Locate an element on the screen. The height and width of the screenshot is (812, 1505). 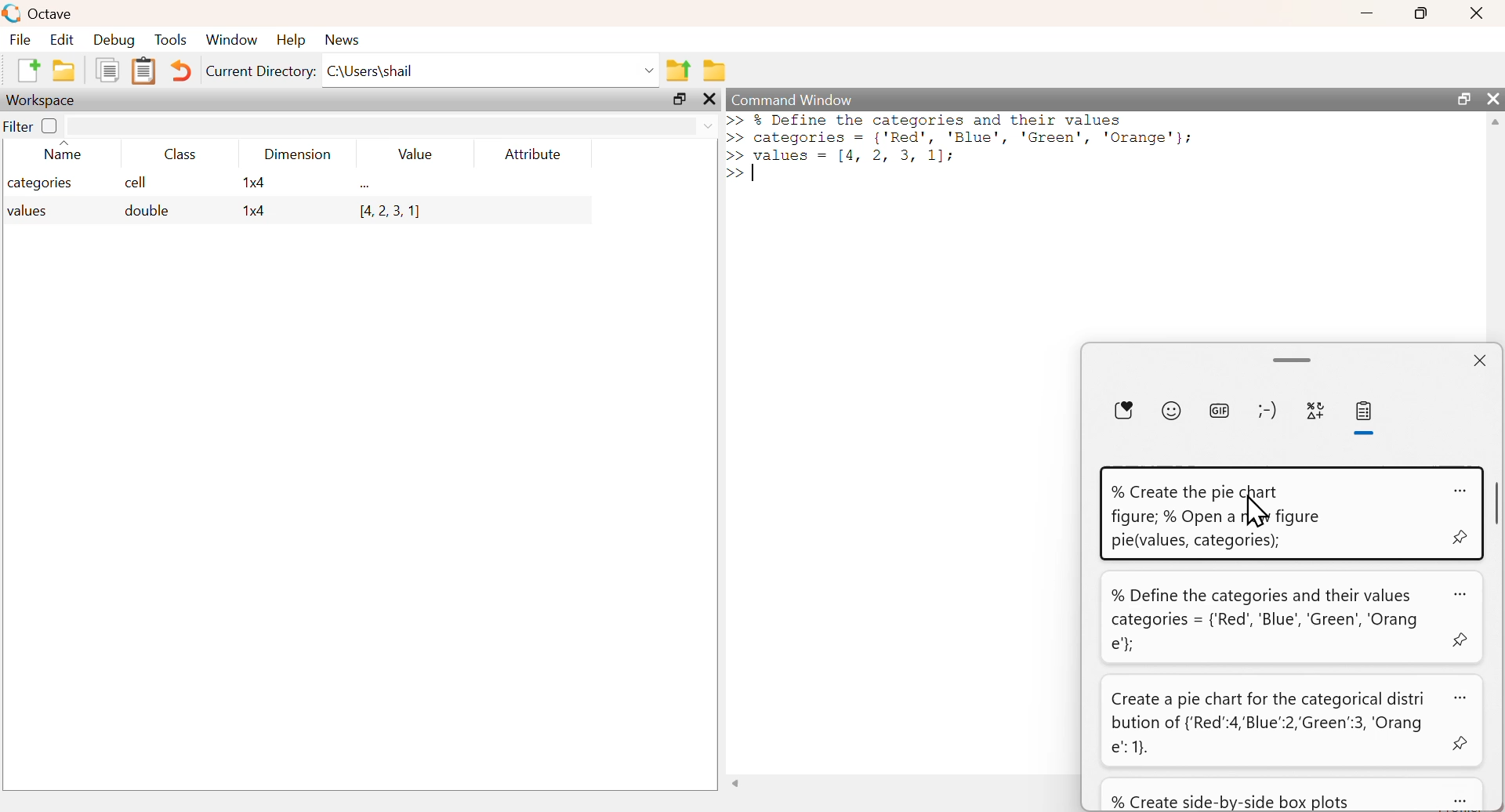
scroll bar is located at coordinates (1295, 360).